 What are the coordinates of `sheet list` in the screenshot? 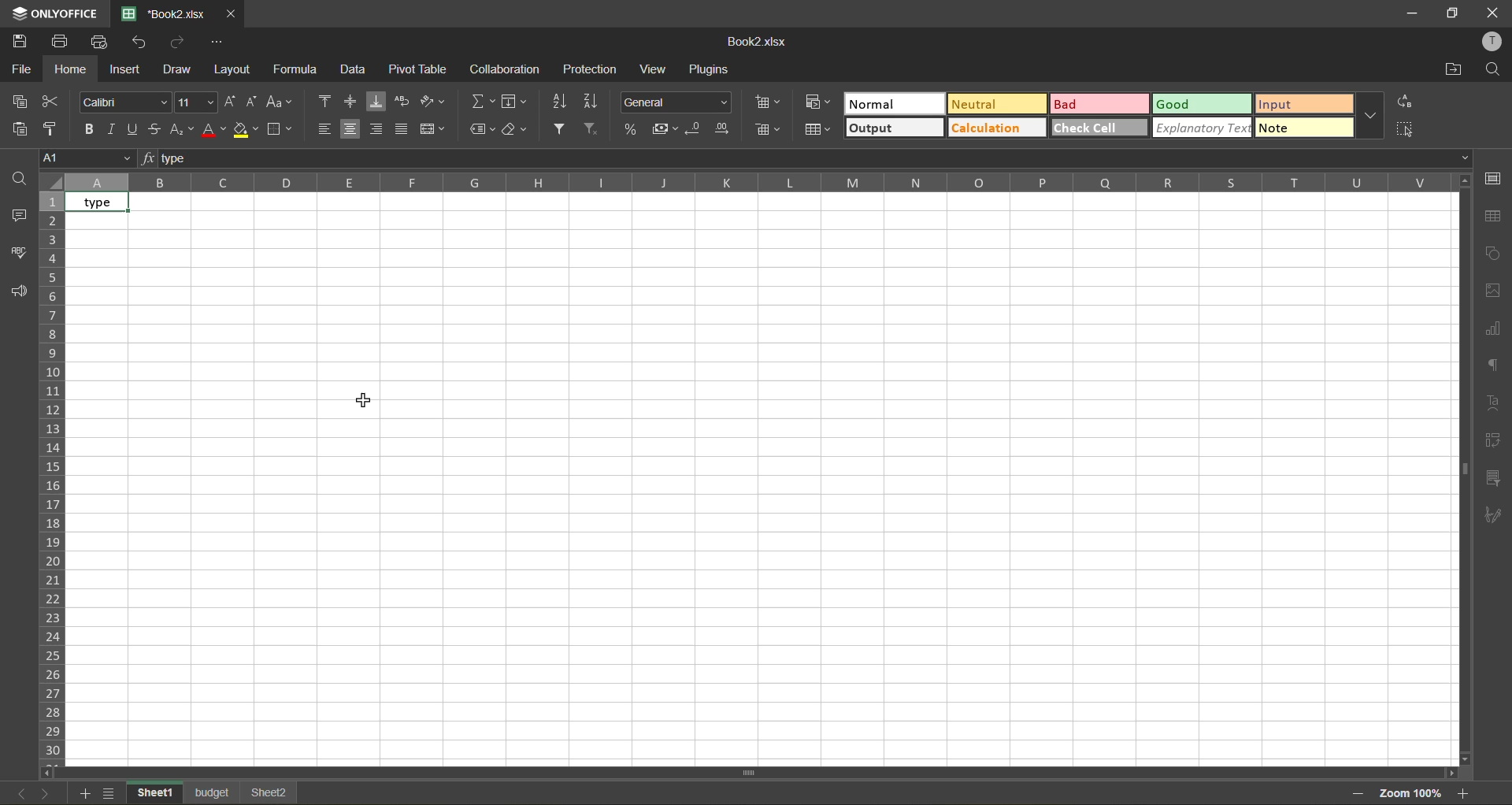 It's located at (113, 792).